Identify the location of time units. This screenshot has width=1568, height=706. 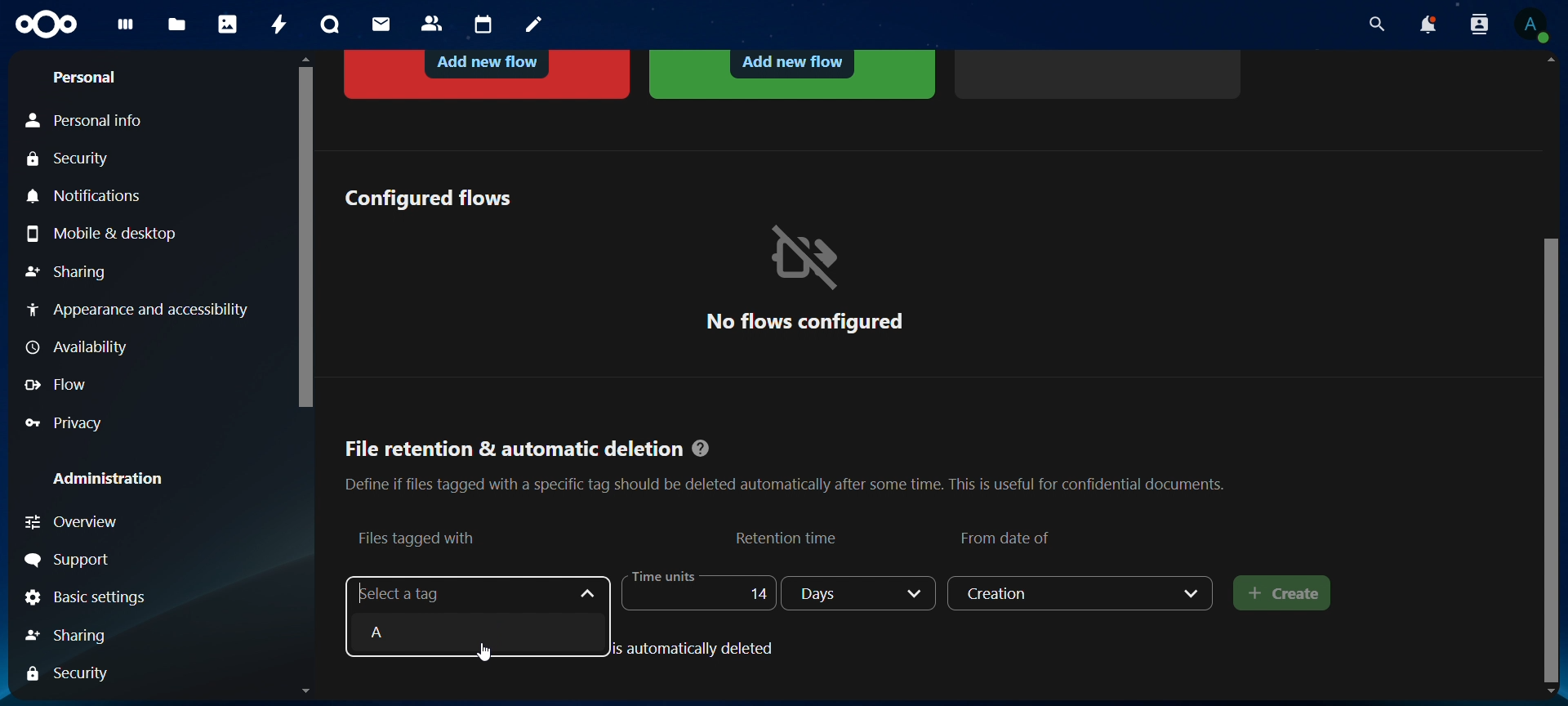
(694, 591).